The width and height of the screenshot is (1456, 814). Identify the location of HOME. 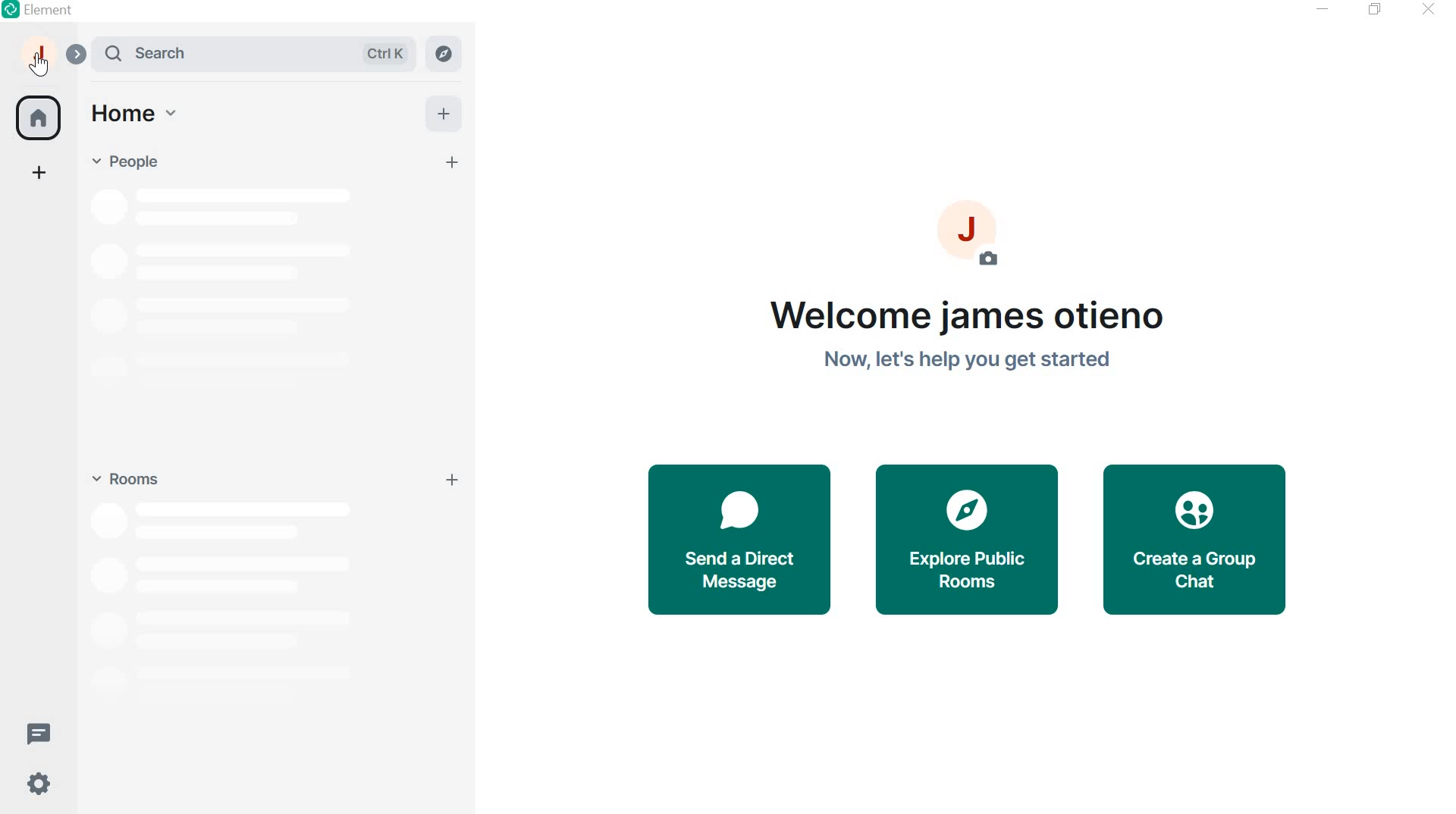
(37, 115).